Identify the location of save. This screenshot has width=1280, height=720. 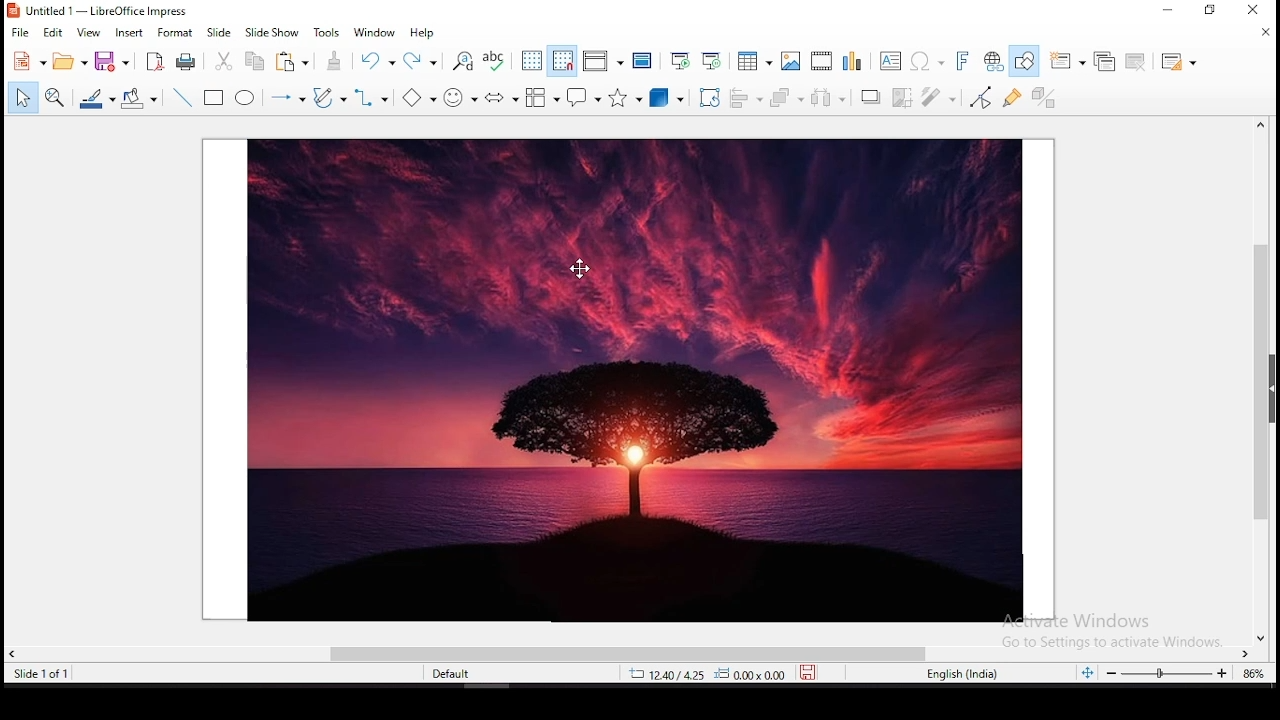
(112, 60).